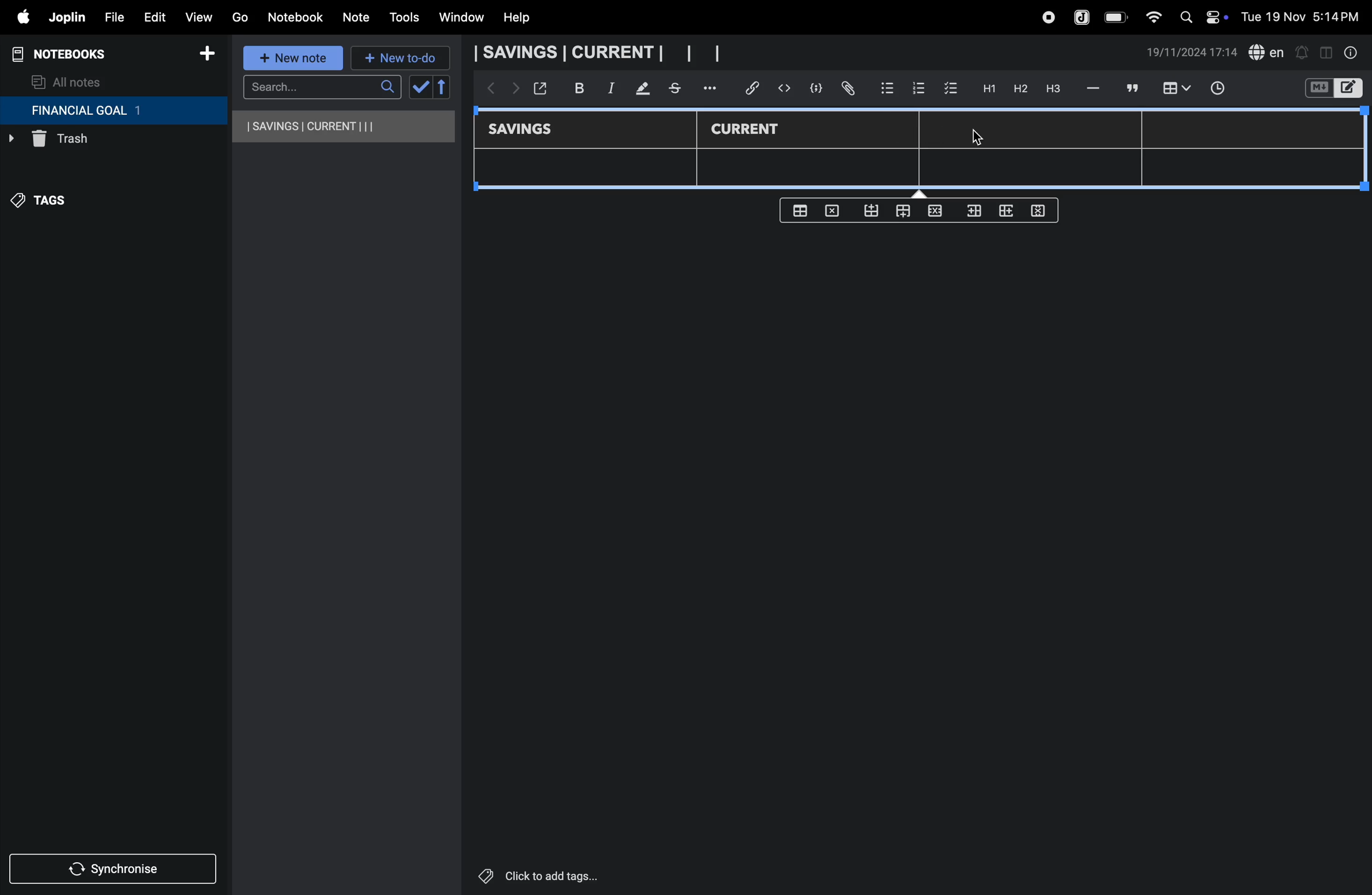 The width and height of the screenshot is (1372, 895). Describe the element at coordinates (539, 88) in the screenshot. I see `open window` at that location.